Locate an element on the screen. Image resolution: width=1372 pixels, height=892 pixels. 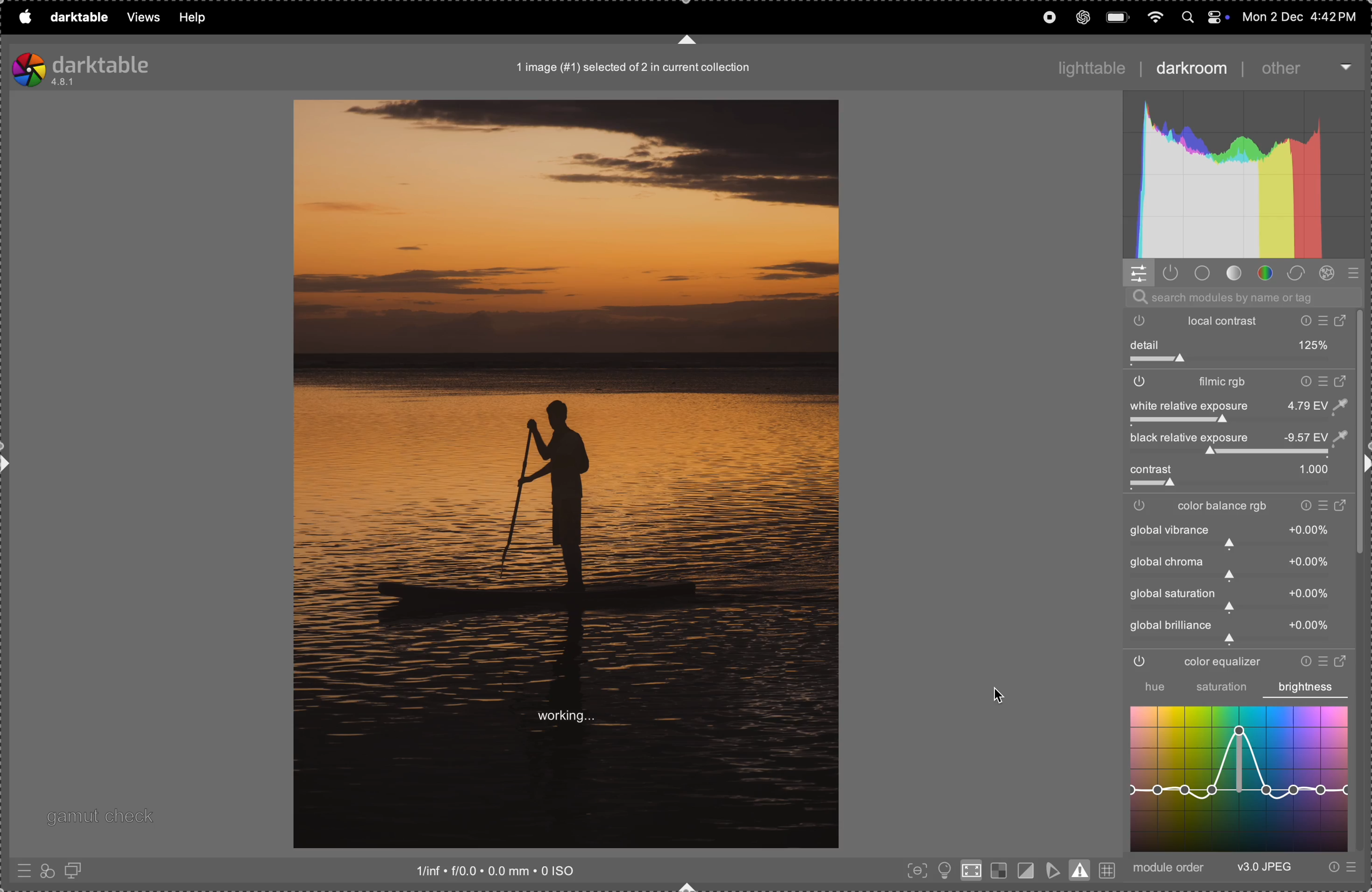
togglebar is located at coordinates (1232, 453).